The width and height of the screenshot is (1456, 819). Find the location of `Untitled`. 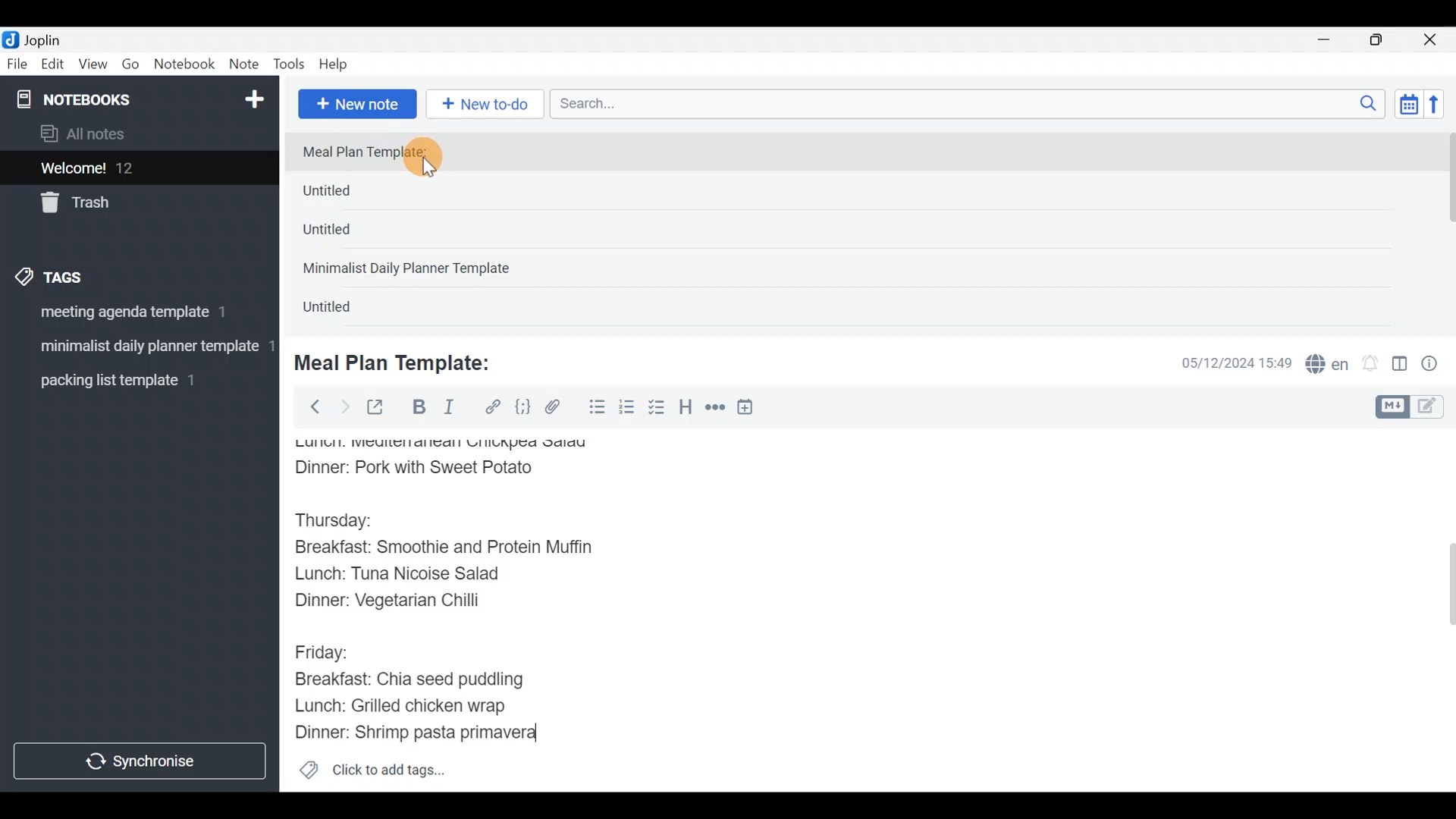

Untitled is located at coordinates (352, 194).